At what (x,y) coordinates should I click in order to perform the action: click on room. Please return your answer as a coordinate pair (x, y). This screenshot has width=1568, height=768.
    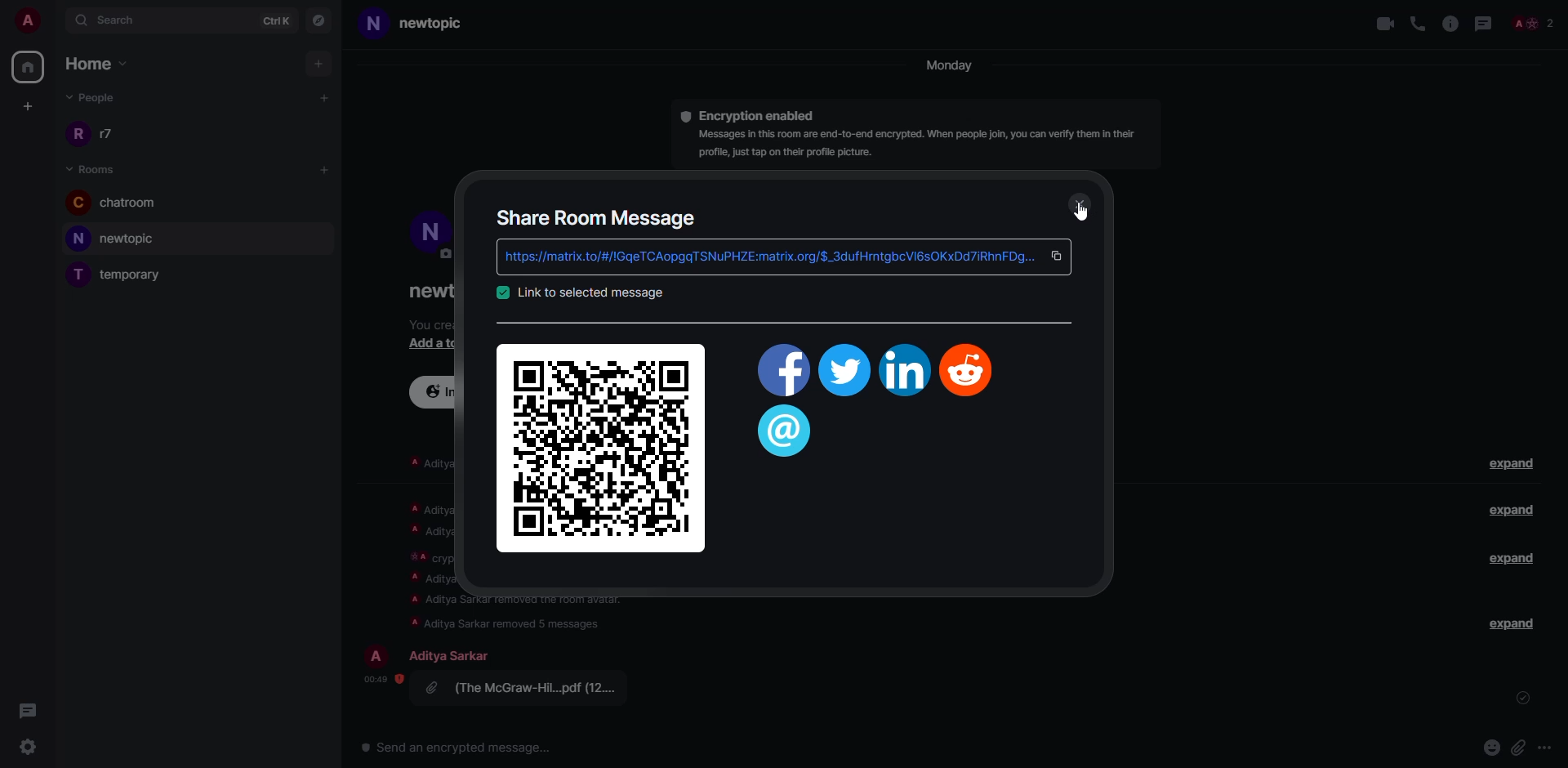
    Looking at the image, I should click on (96, 167).